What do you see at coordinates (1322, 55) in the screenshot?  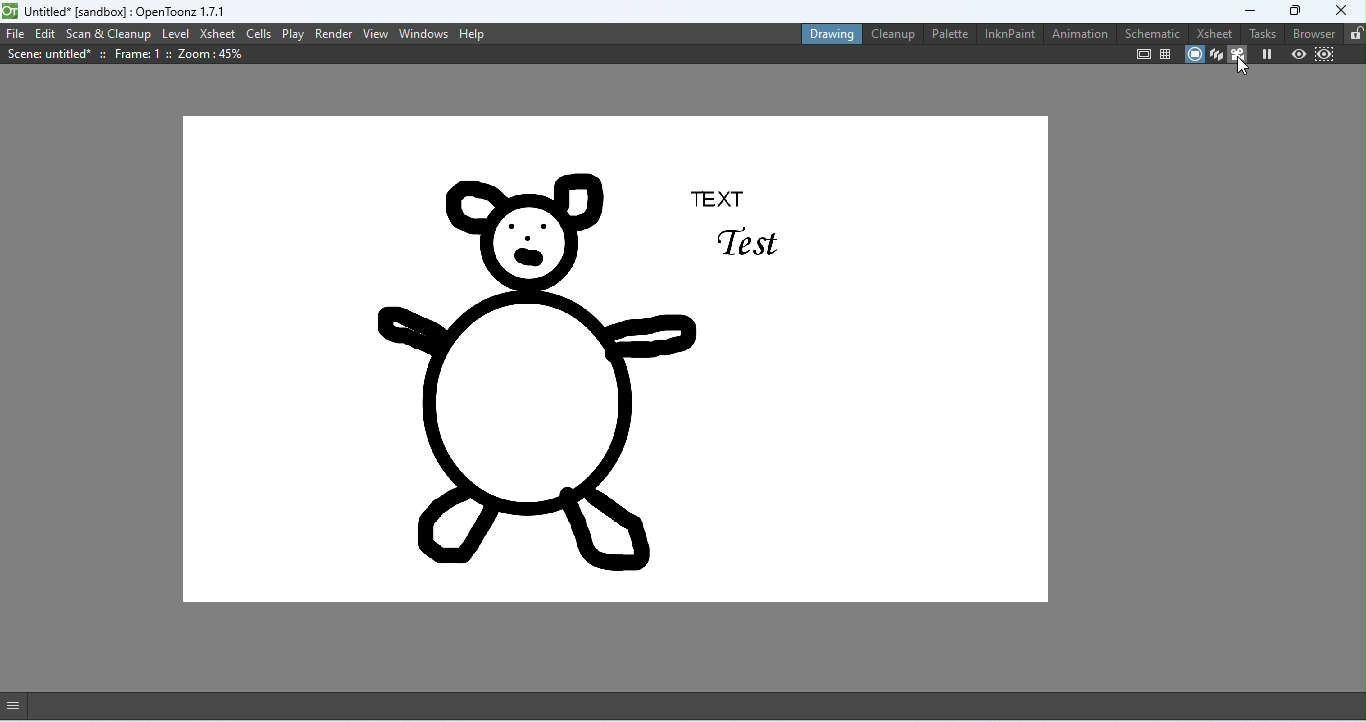 I see `Sub-camera preview` at bounding box center [1322, 55].